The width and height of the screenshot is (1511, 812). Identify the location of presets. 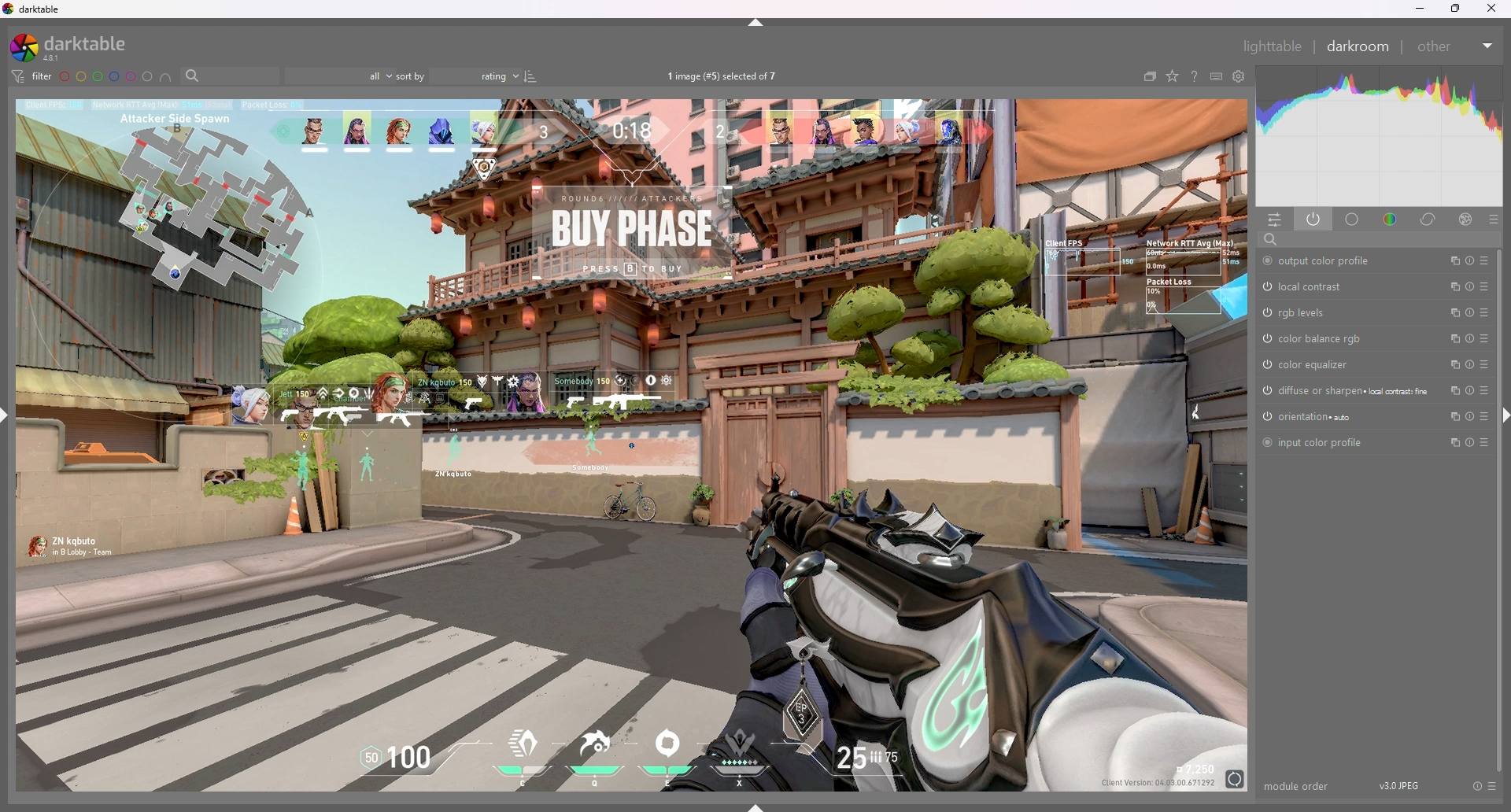
(1494, 219).